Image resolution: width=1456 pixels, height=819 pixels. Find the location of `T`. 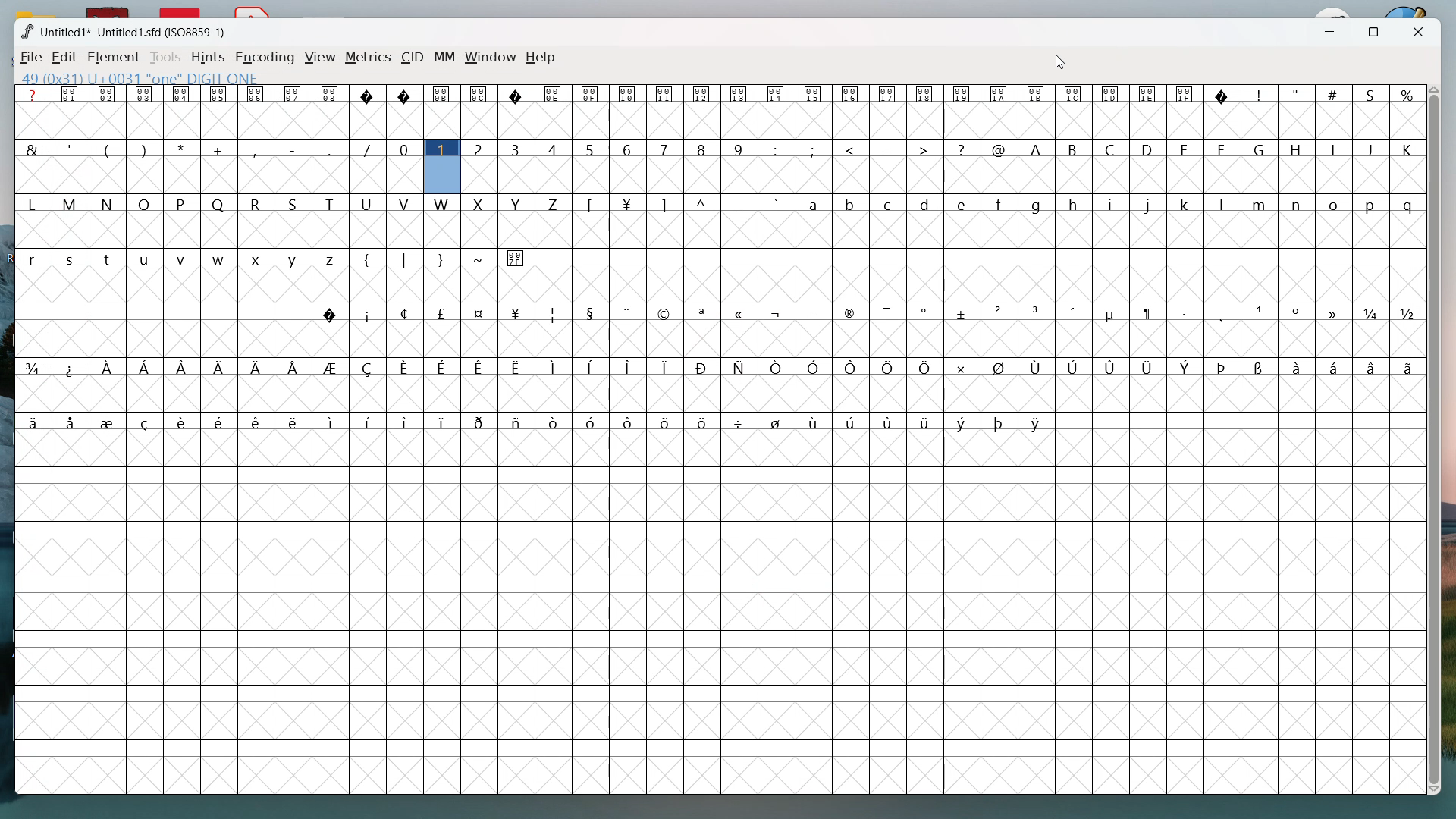

T is located at coordinates (332, 204).